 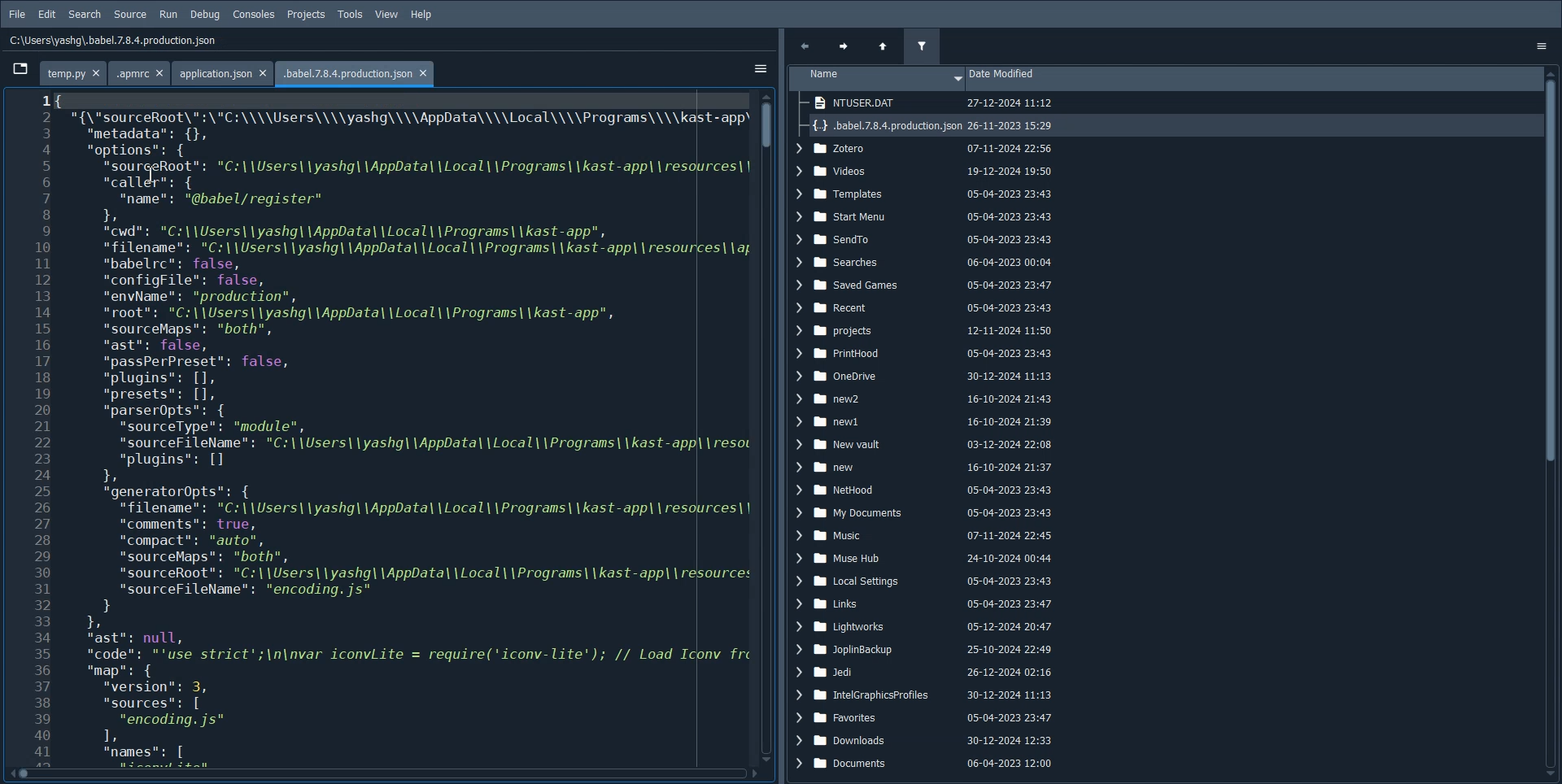 What do you see at coordinates (421, 15) in the screenshot?
I see `Help` at bounding box center [421, 15].